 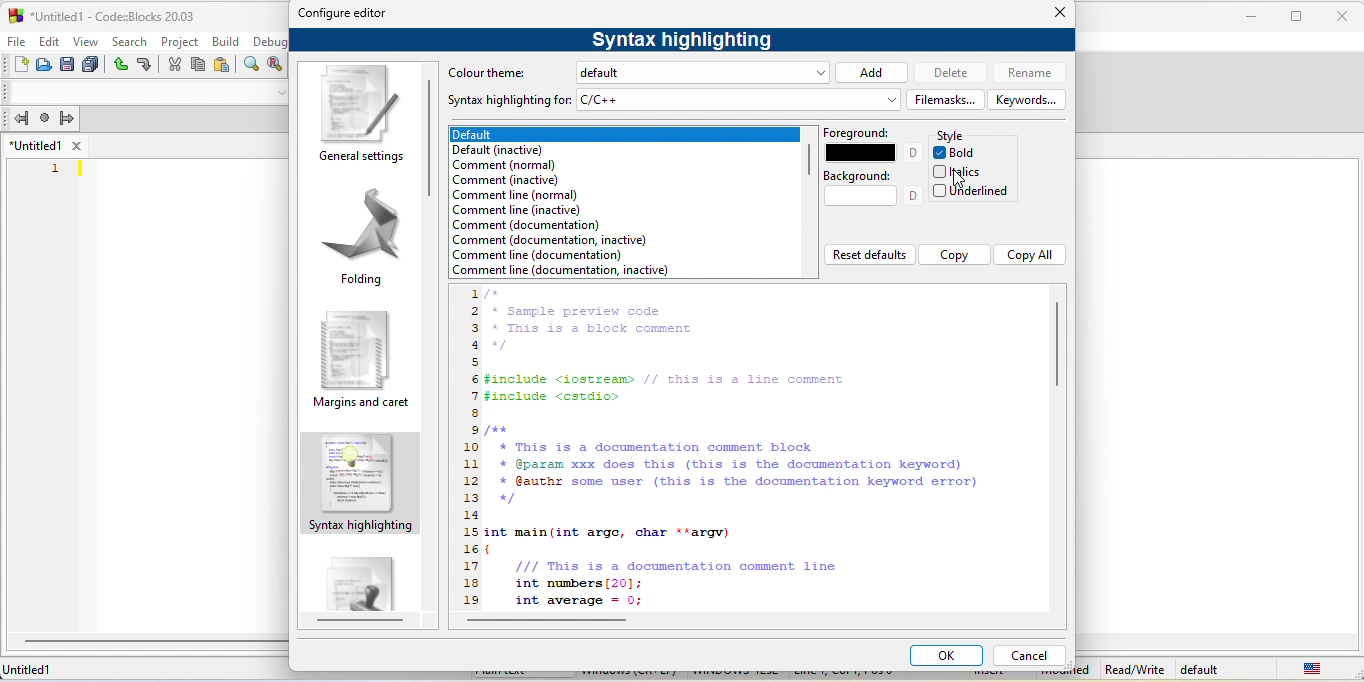 What do you see at coordinates (954, 136) in the screenshot?
I see `style` at bounding box center [954, 136].